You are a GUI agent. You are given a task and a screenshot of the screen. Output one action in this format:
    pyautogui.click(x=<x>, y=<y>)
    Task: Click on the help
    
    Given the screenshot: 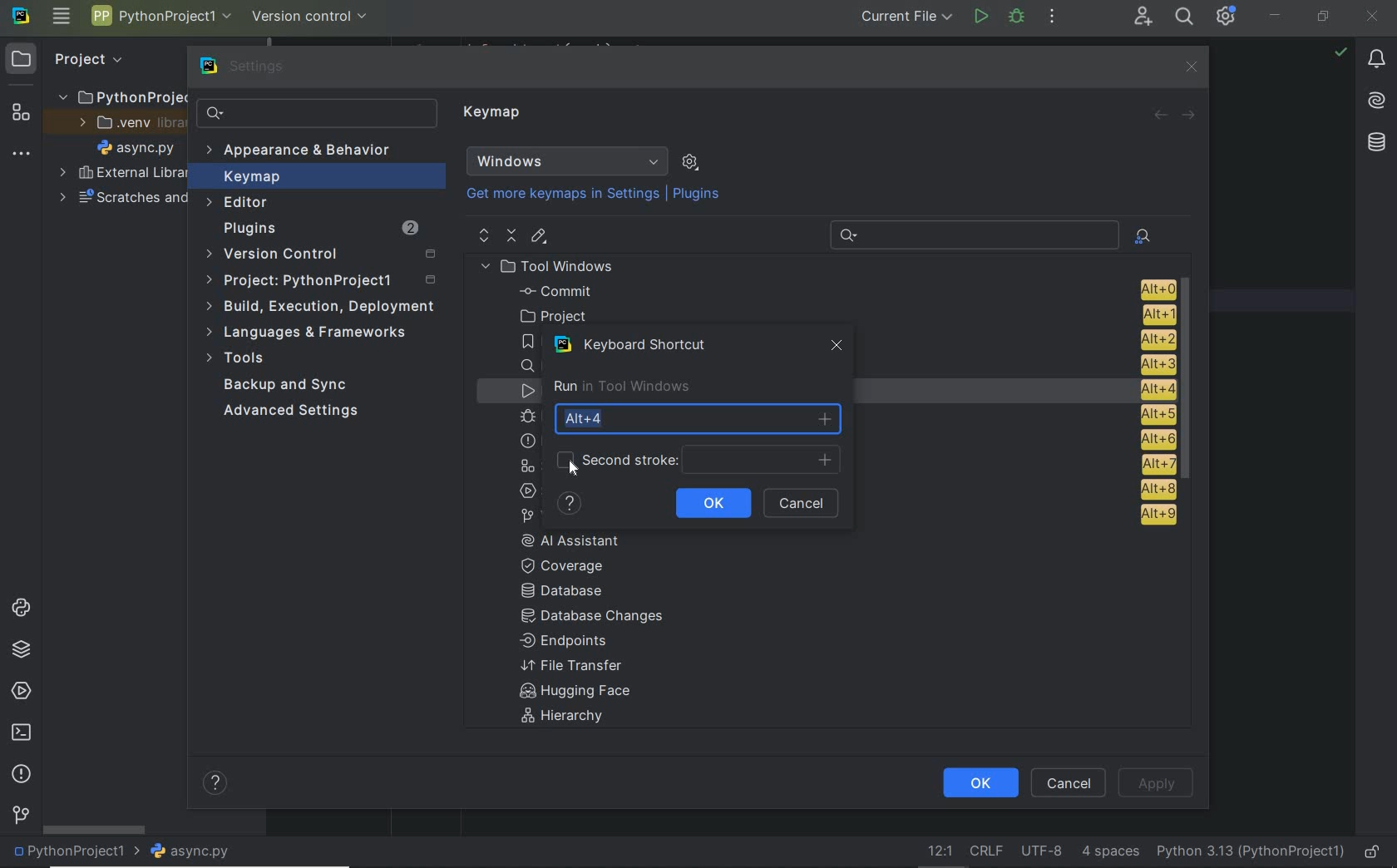 What is the action you would take?
    pyautogui.click(x=217, y=785)
    